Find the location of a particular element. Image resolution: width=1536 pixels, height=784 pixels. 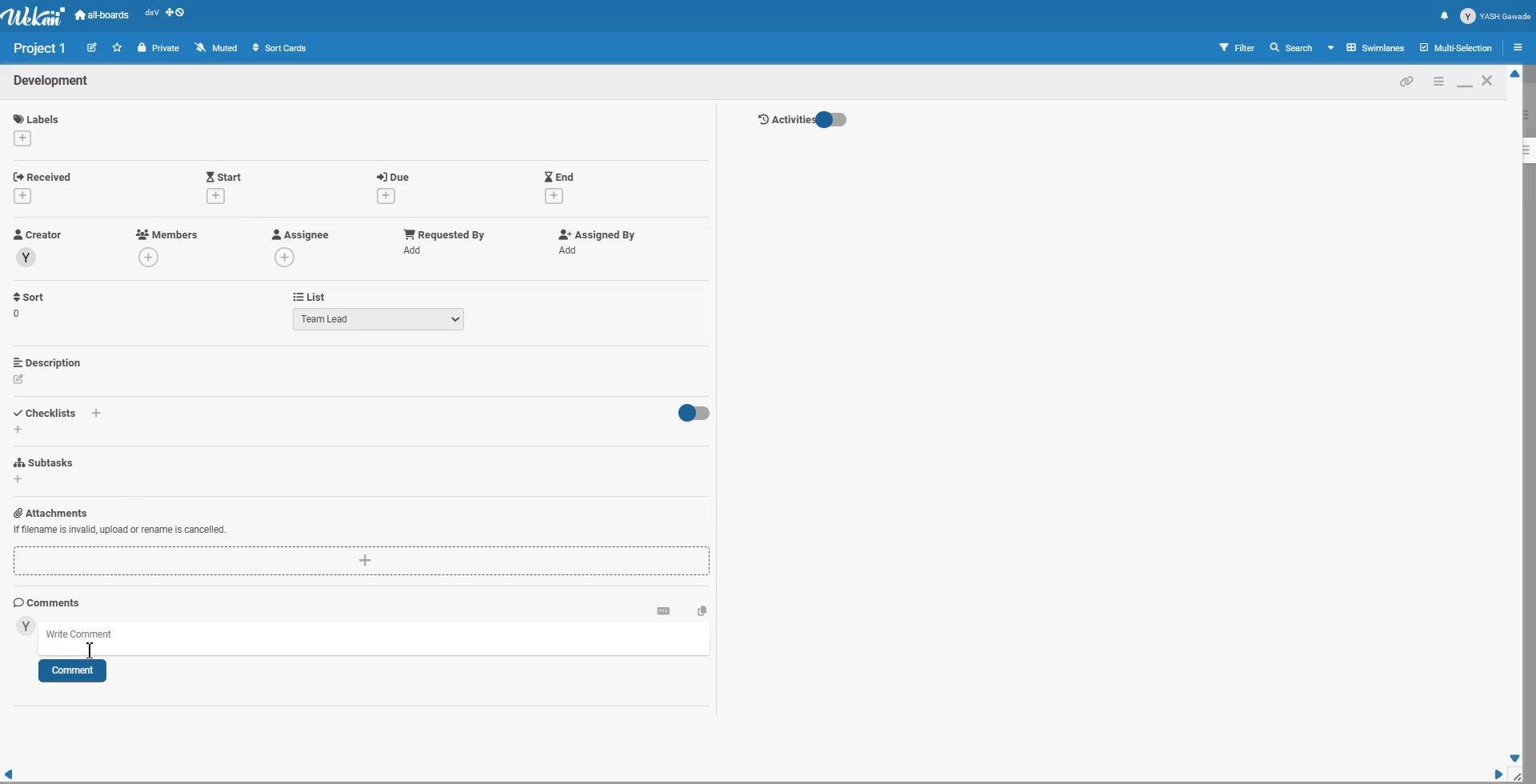

add is located at coordinates (383, 196).